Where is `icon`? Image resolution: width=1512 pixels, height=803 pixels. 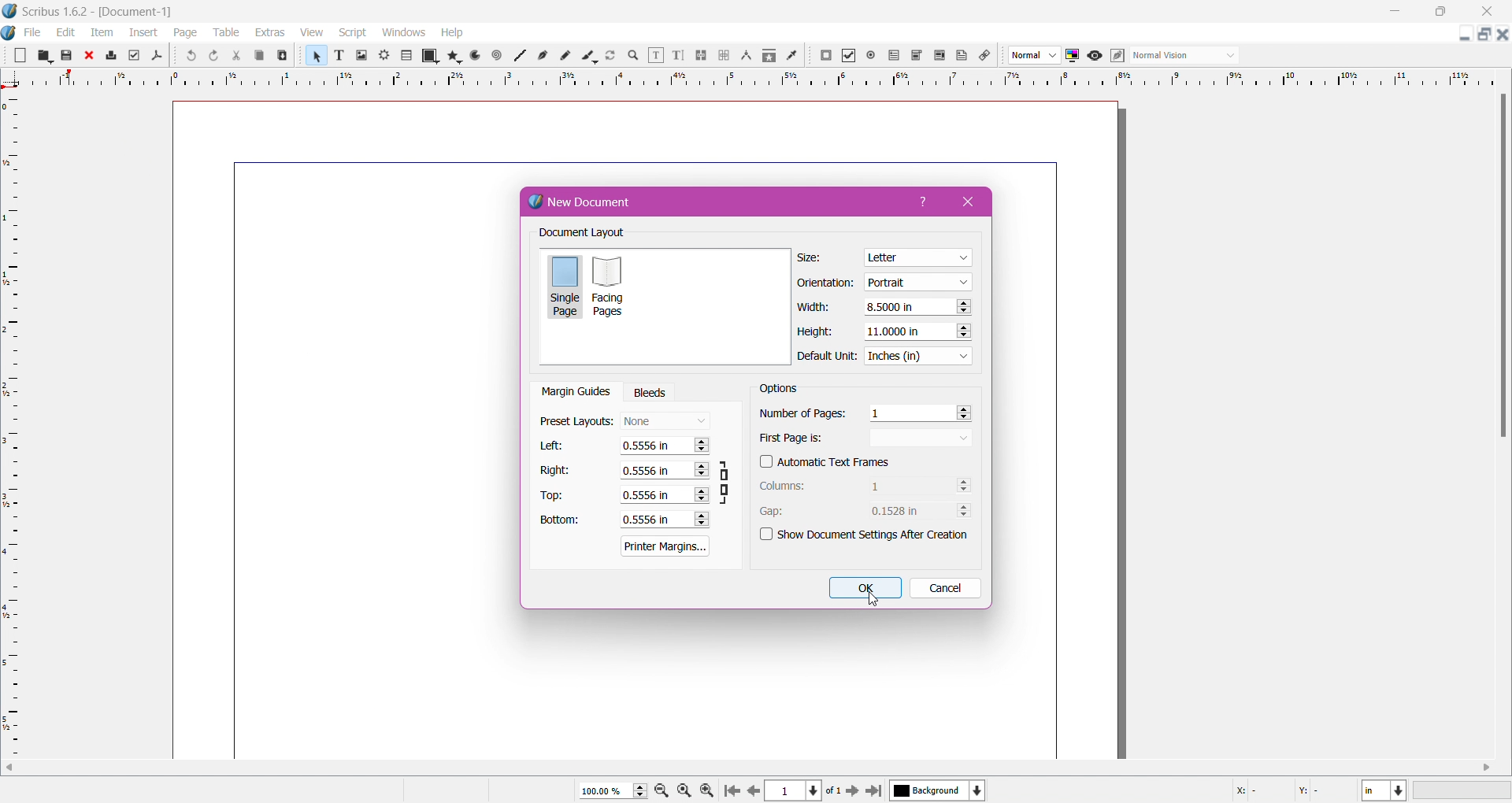
icon is located at coordinates (1093, 56).